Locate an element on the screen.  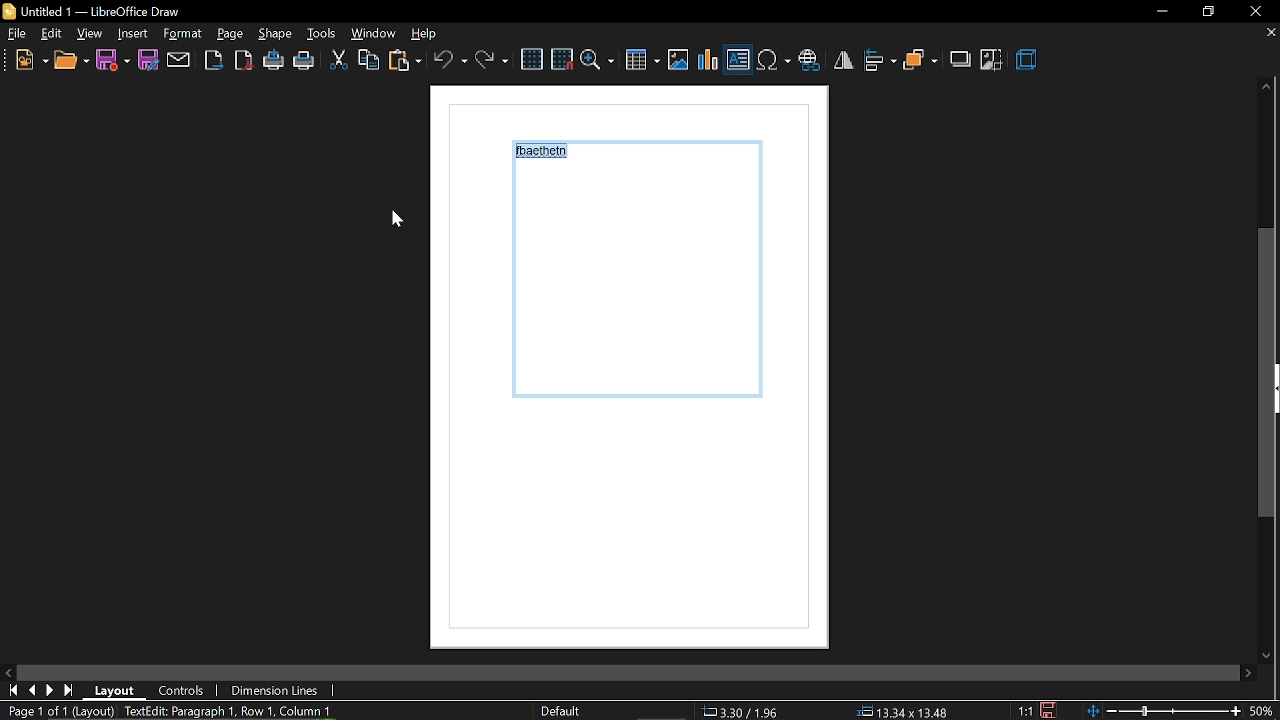
File is located at coordinates (17, 33).